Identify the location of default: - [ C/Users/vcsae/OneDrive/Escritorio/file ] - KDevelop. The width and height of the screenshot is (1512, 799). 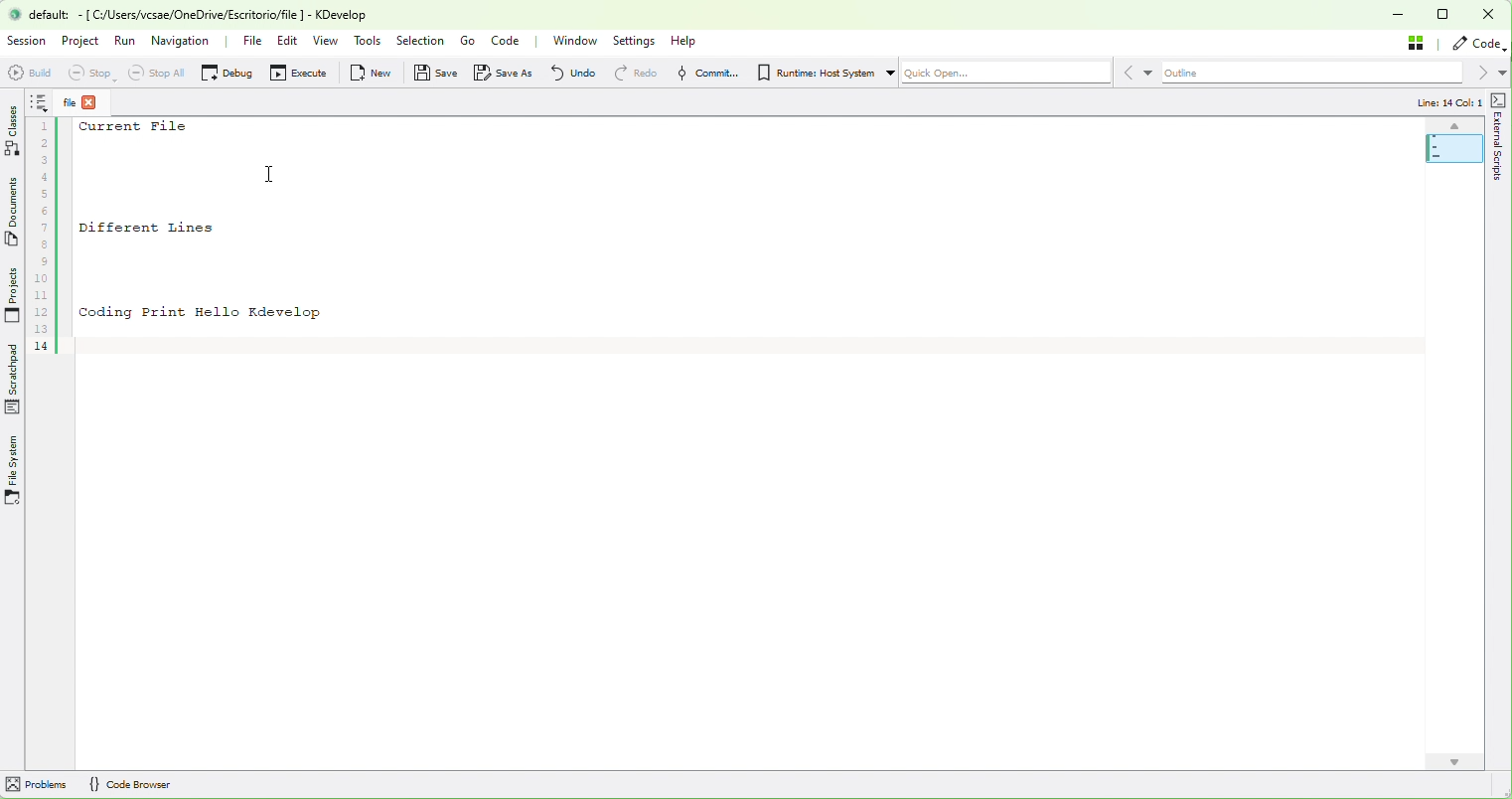
(200, 14).